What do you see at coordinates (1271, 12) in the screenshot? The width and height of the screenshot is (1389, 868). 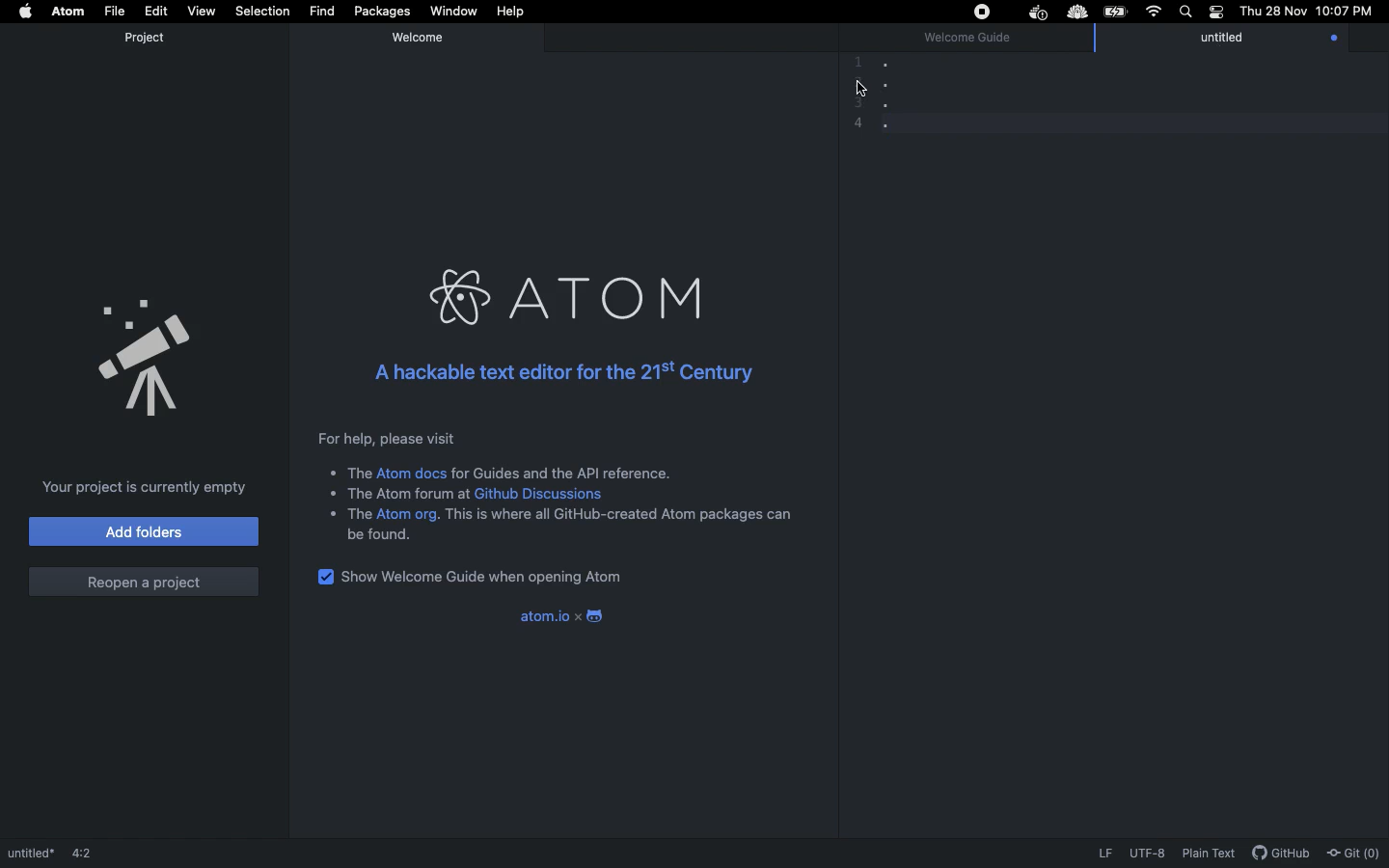 I see `Date` at bounding box center [1271, 12].